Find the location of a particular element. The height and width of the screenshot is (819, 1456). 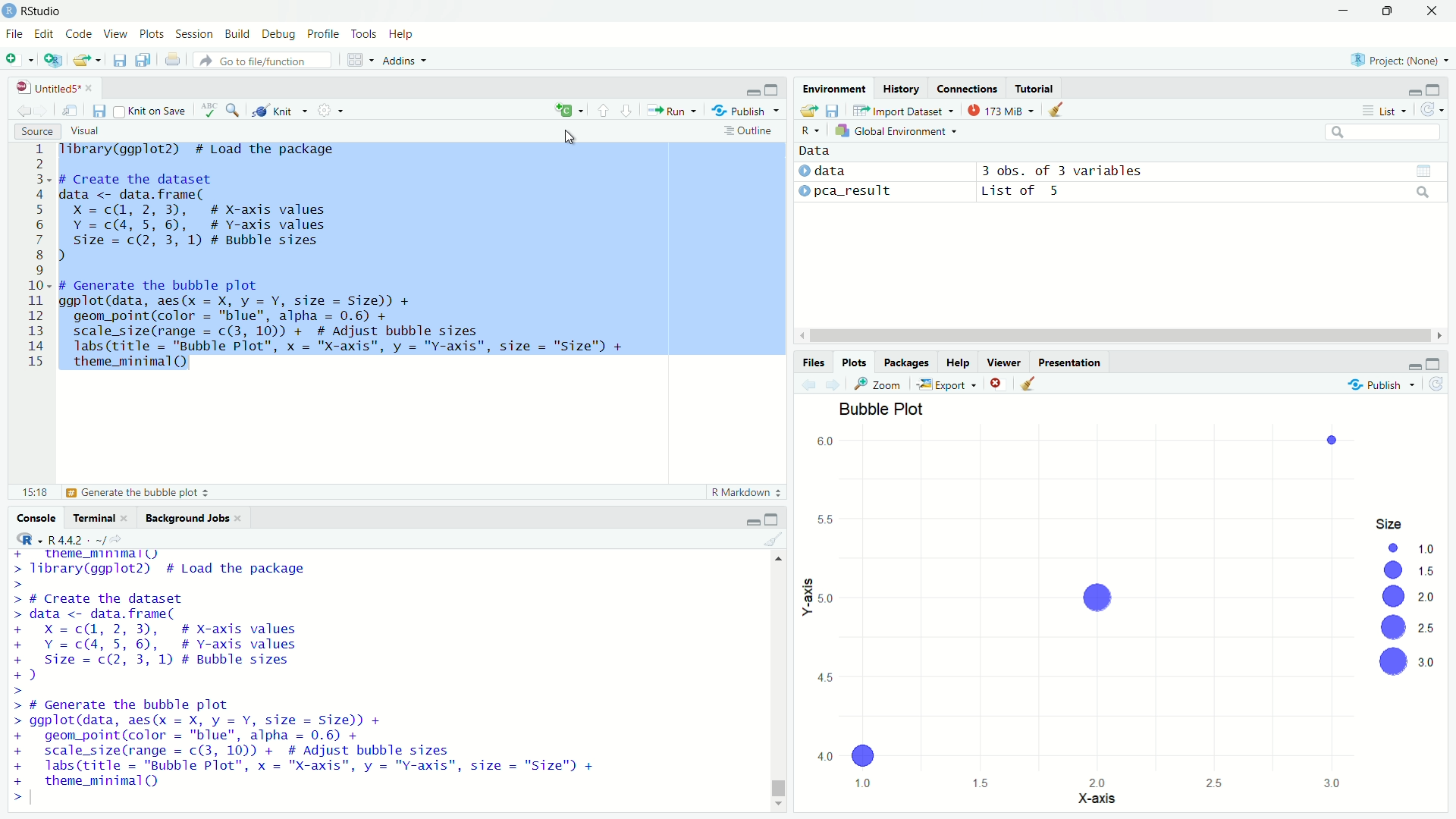

load workspace is located at coordinates (89, 60).